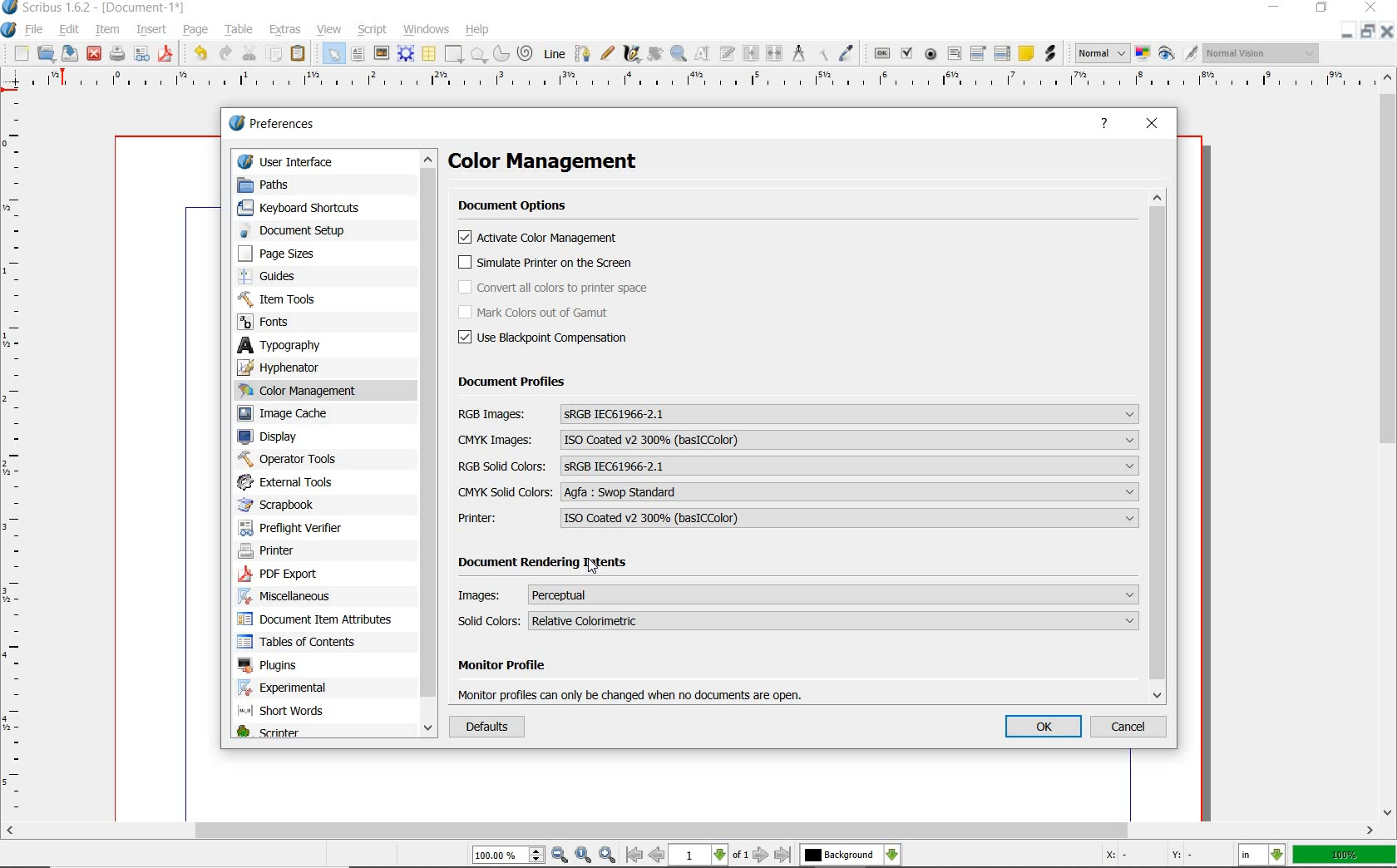 This screenshot has width=1397, height=868. I want to click on convert all colors to printer space, so click(555, 288).